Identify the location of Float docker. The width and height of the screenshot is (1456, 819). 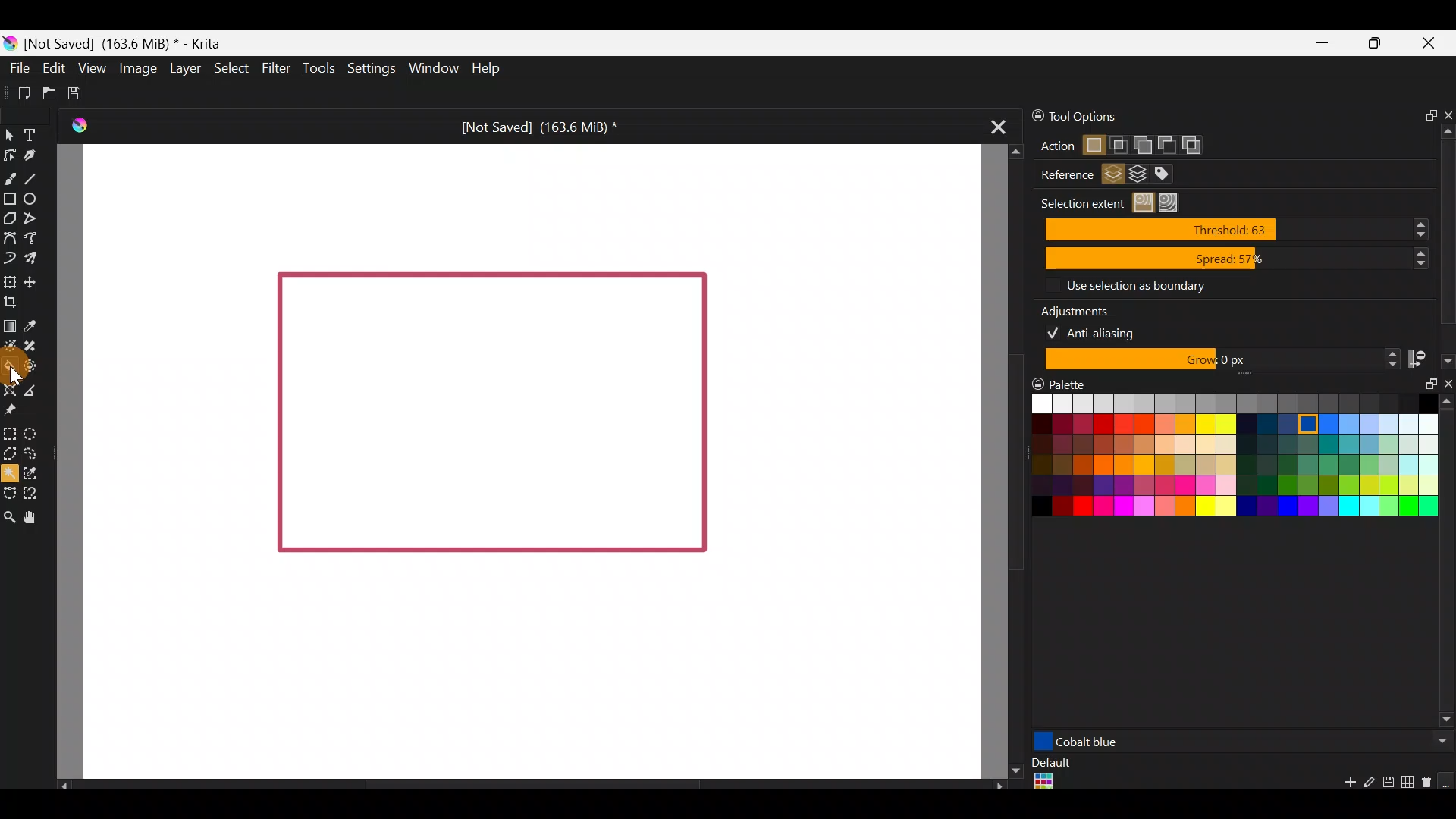
(1425, 113).